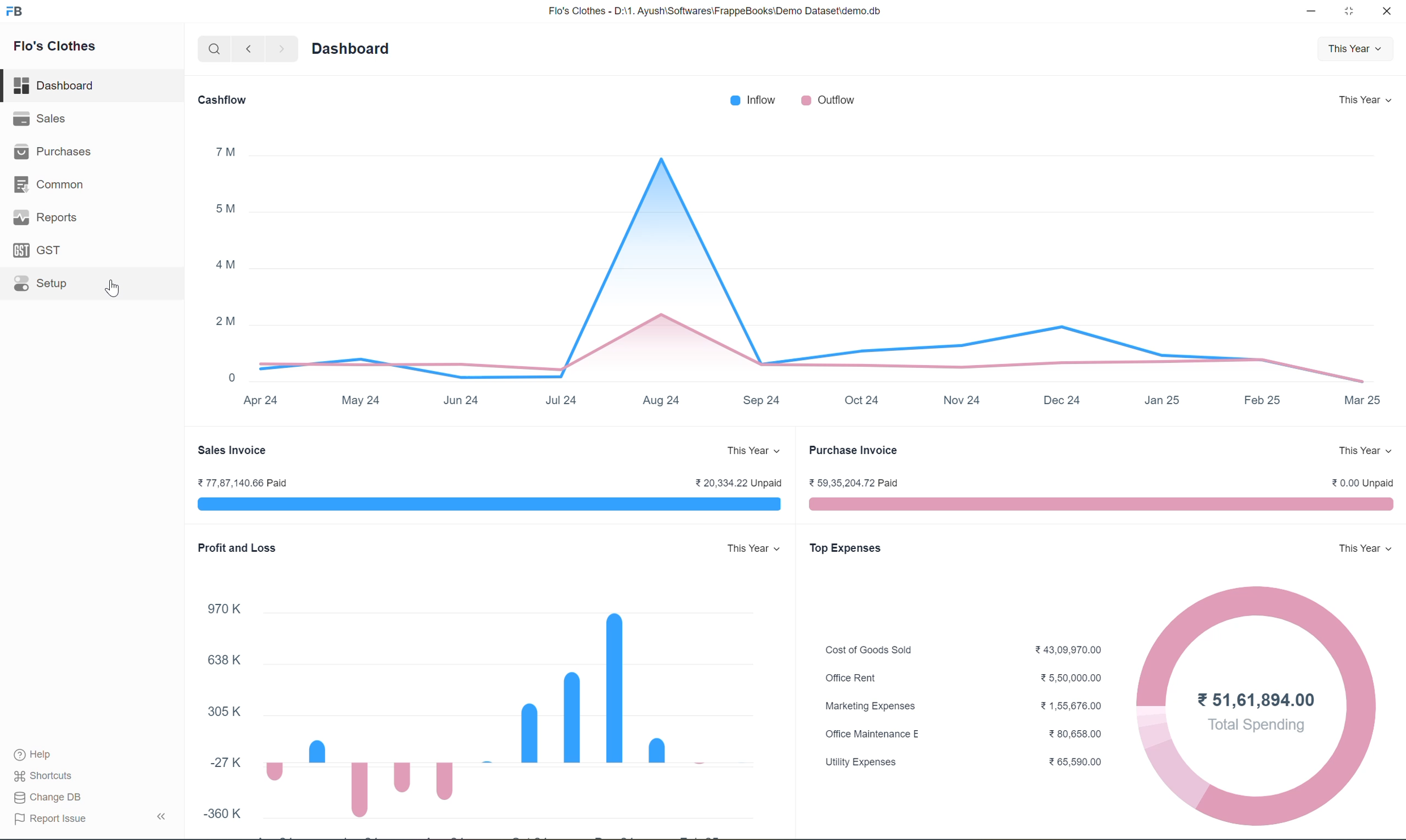  Describe the element at coordinates (221, 813) in the screenshot. I see `-360 K` at that location.